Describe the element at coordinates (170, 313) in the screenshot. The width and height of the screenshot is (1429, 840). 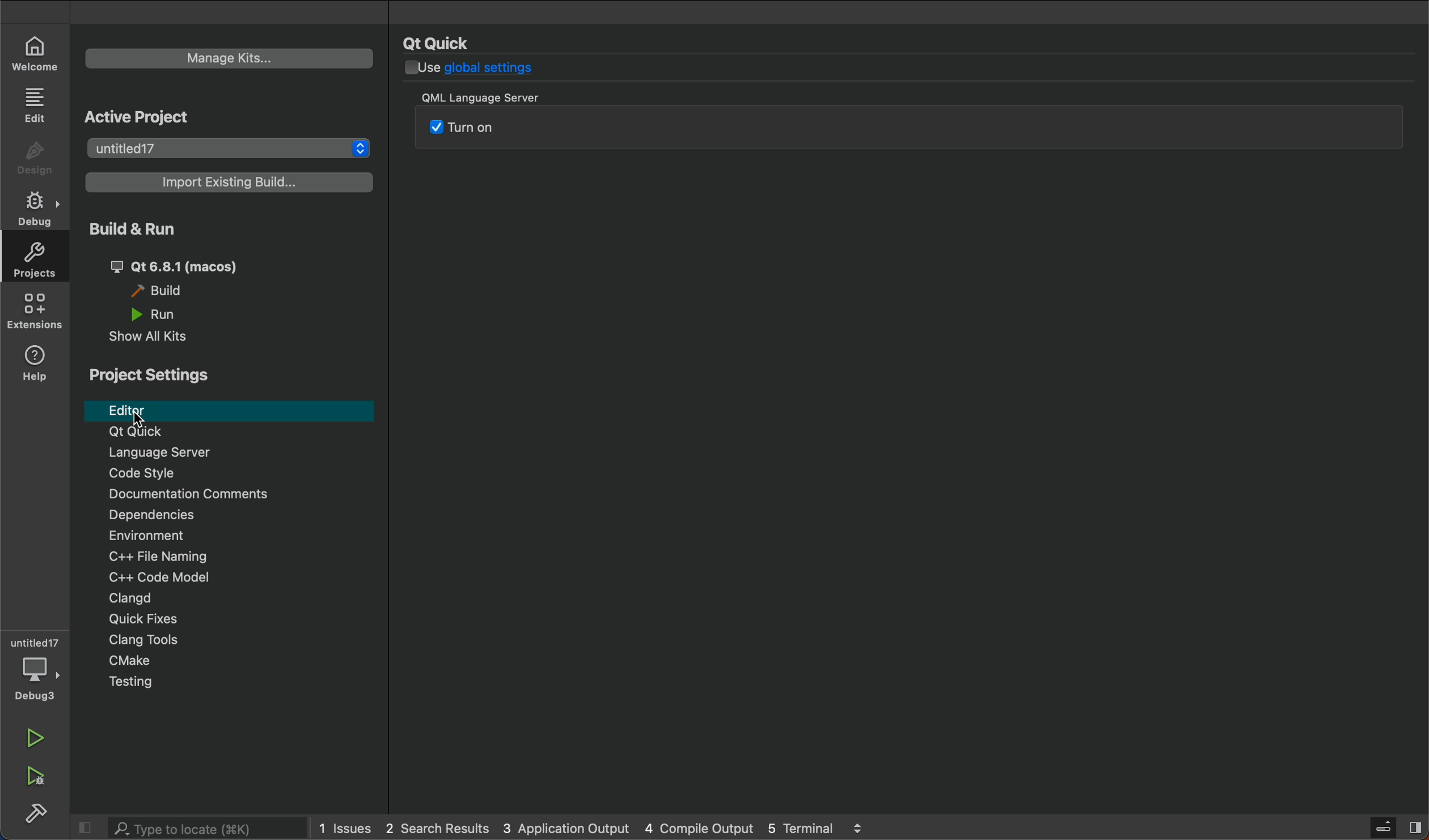
I see `run` at that location.